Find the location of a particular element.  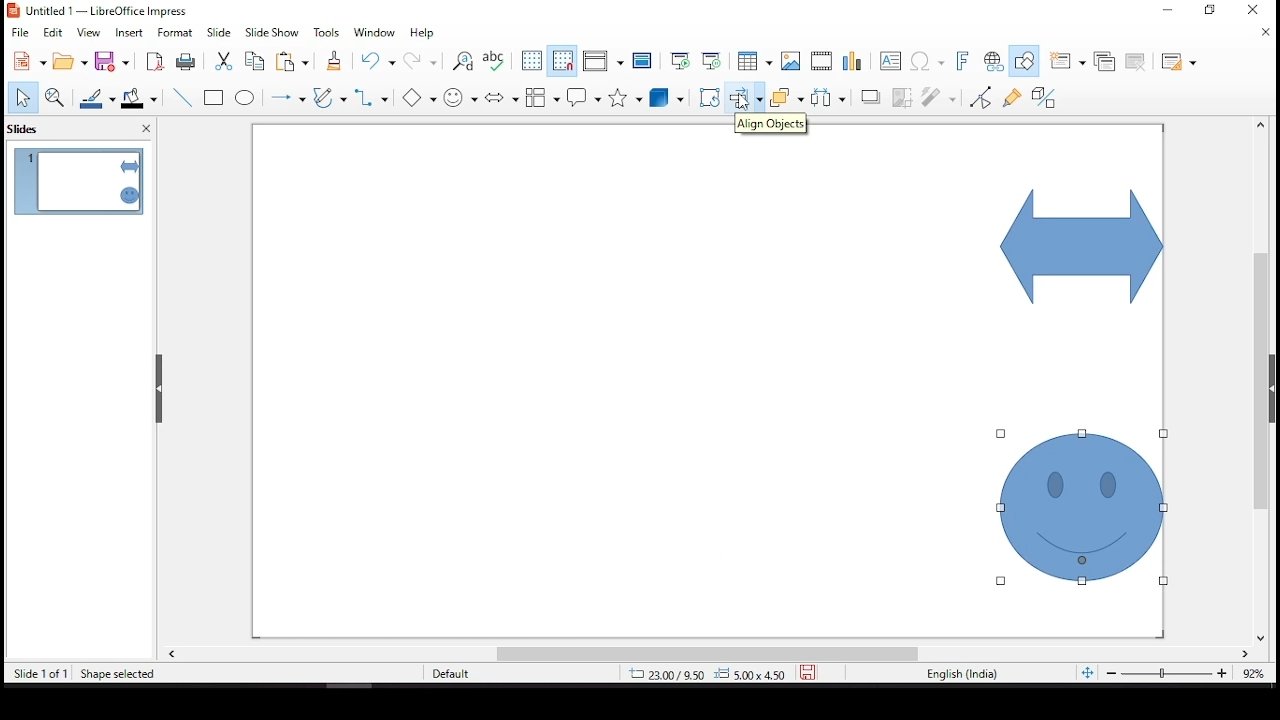

clone formatting is located at coordinates (338, 62).